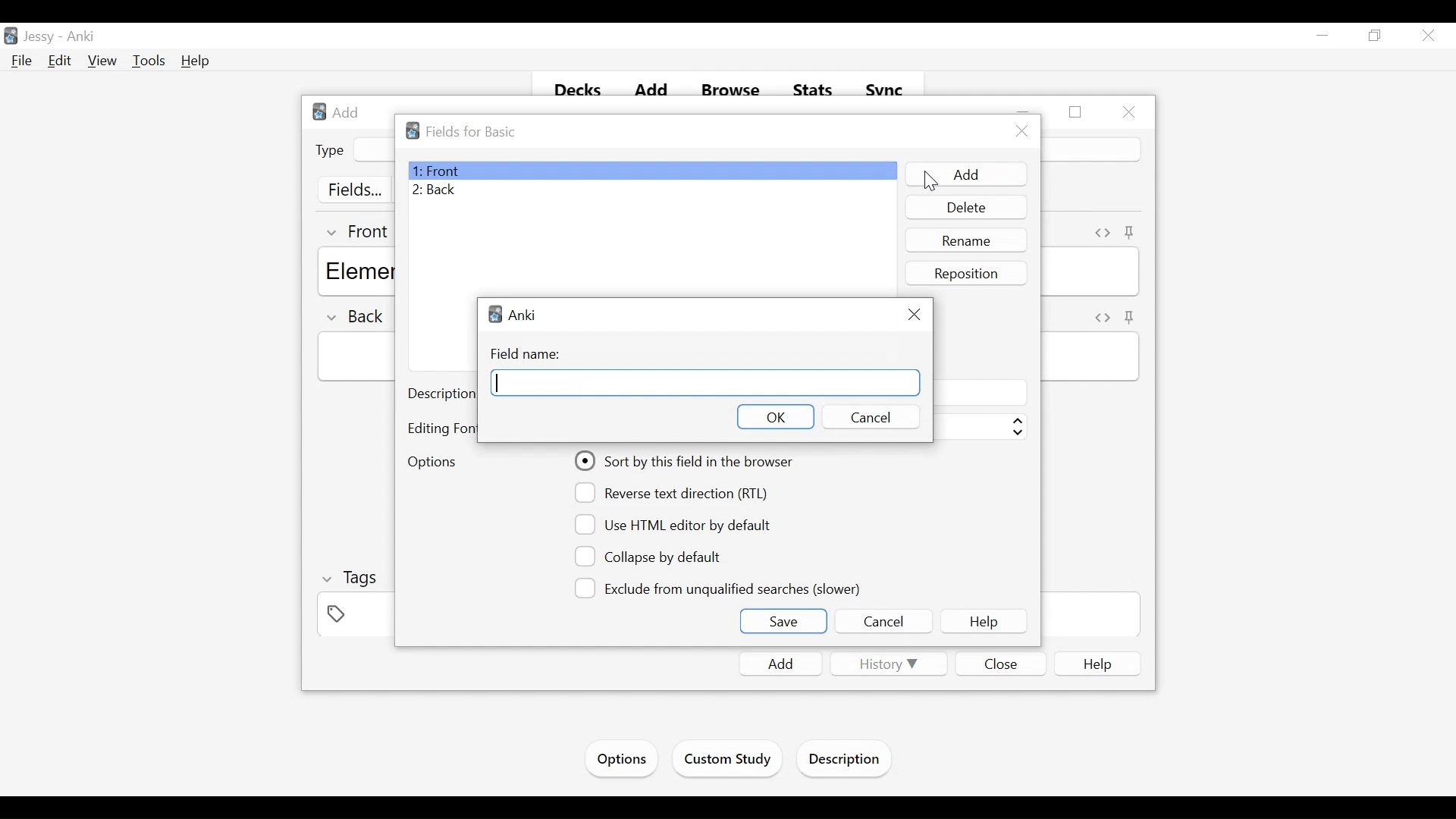  Describe the element at coordinates (706, 383) in the screenshot. I see `Field` at that location.